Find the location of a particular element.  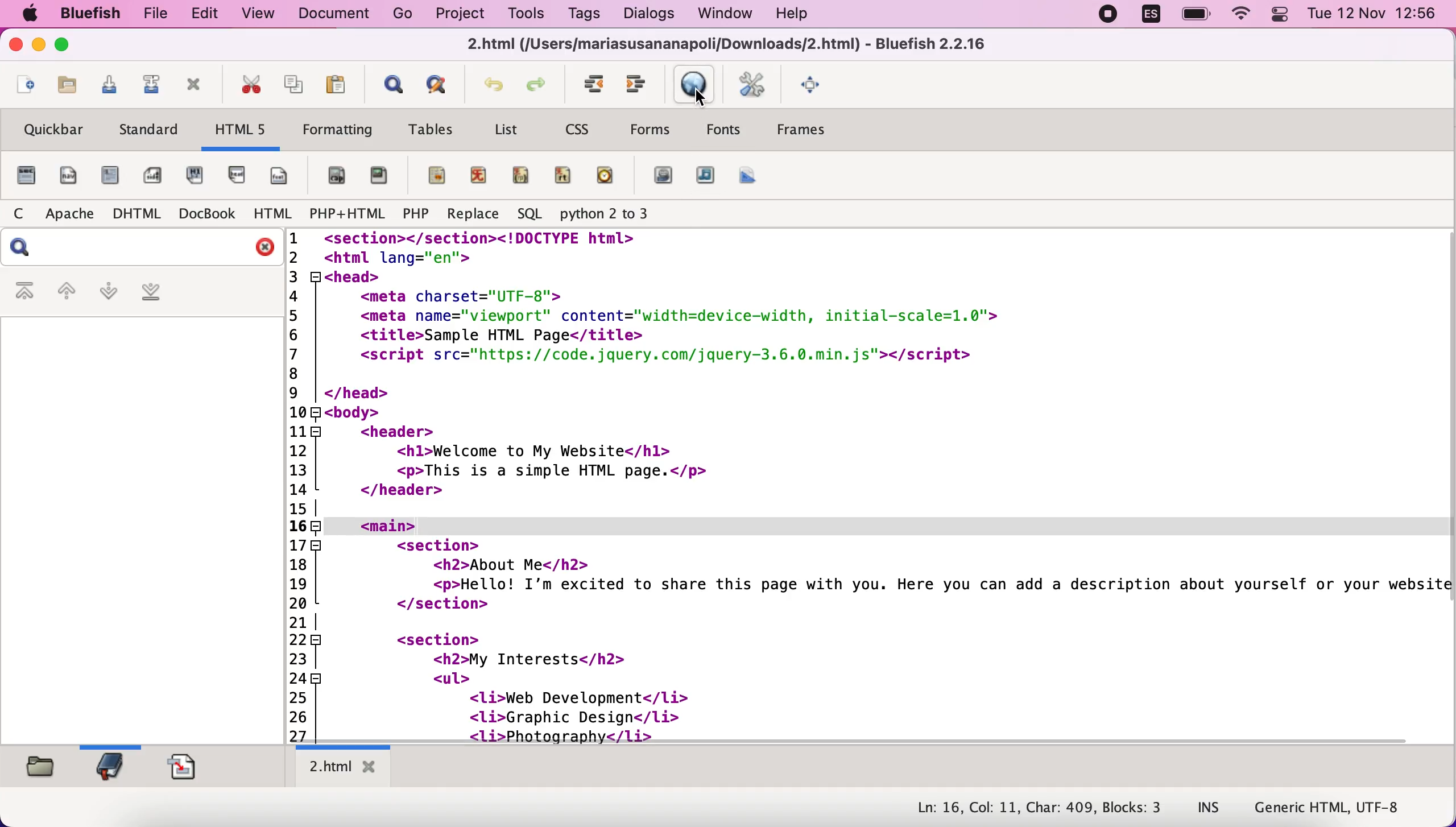

search is located at coordinates (22, 250).